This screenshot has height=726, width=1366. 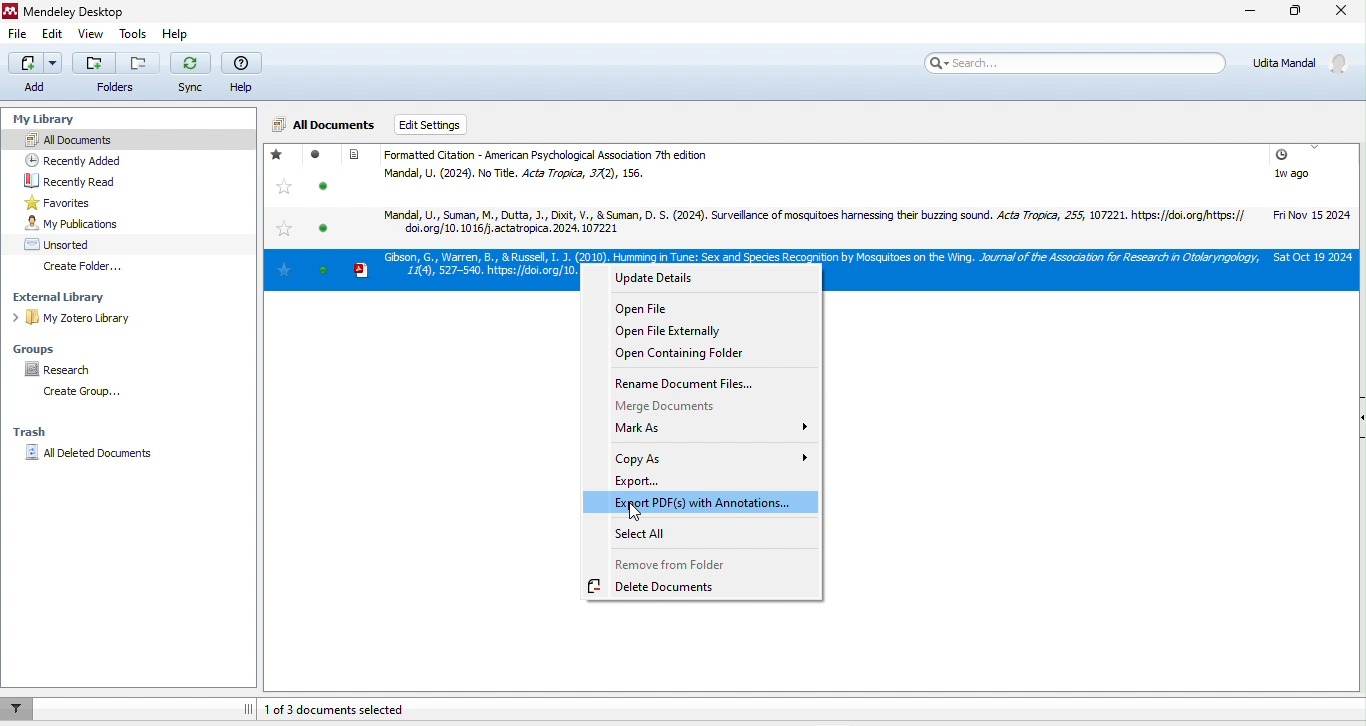 What do you see at coordinates (134, 30) in the screenshot?
I see `tools` at bounding box center [134, 30].